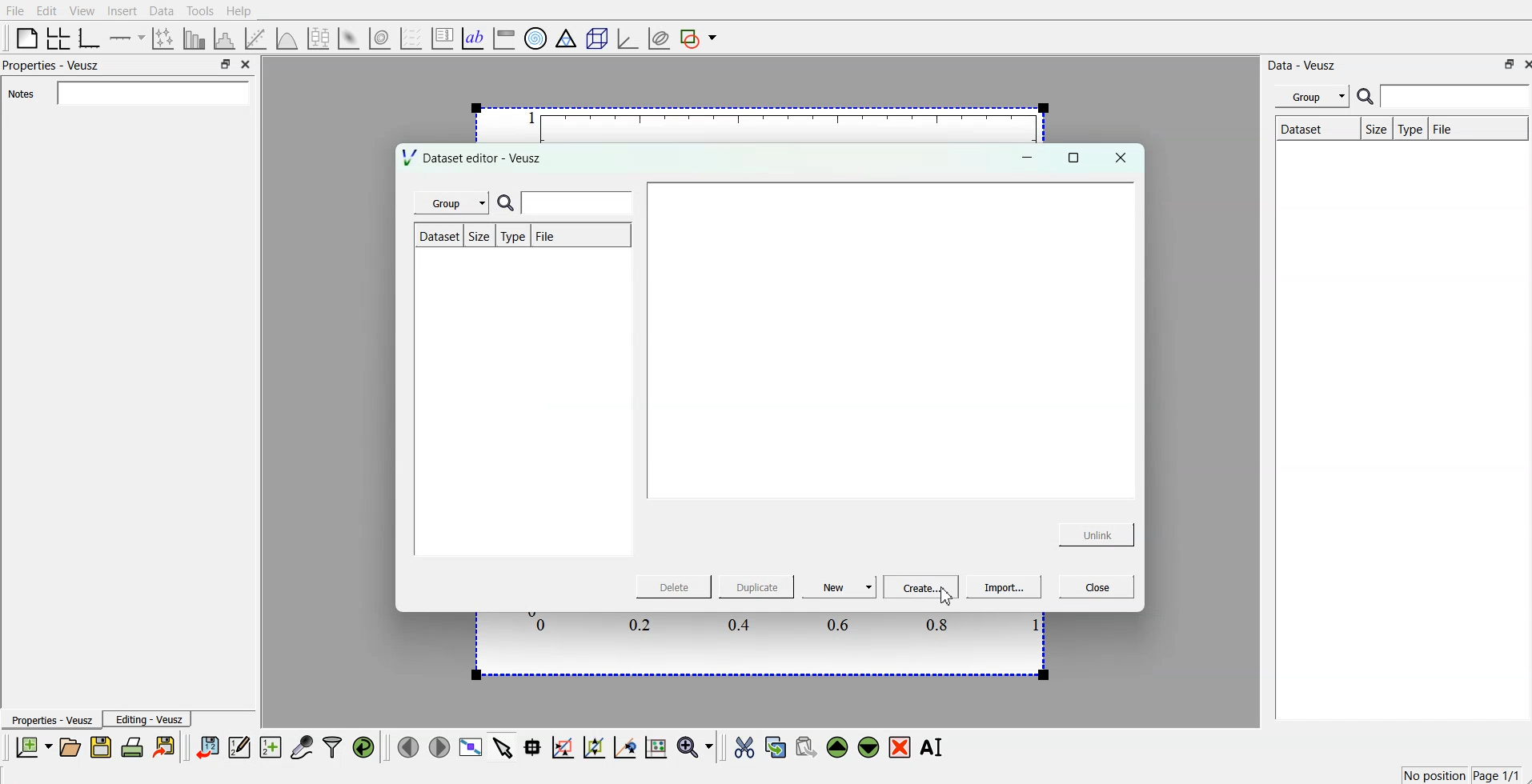 The width and height of the screenshot is (1532, 784). What do you see at coordinates (128, 37) in the screenshot?
I see `Add an axis` at bounding box center [128, 37].